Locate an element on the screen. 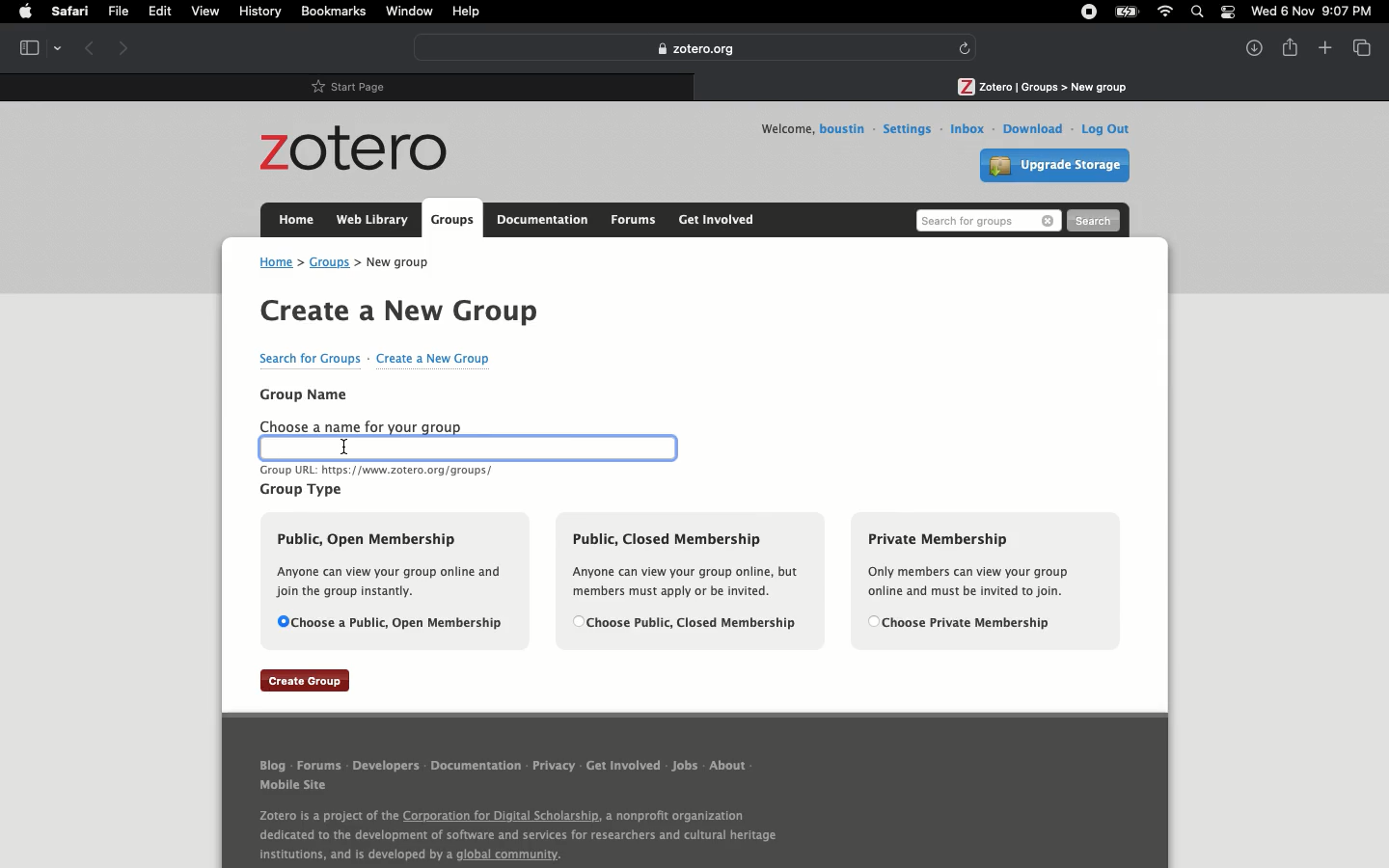  Cursor is located at coordinates (344, 442).